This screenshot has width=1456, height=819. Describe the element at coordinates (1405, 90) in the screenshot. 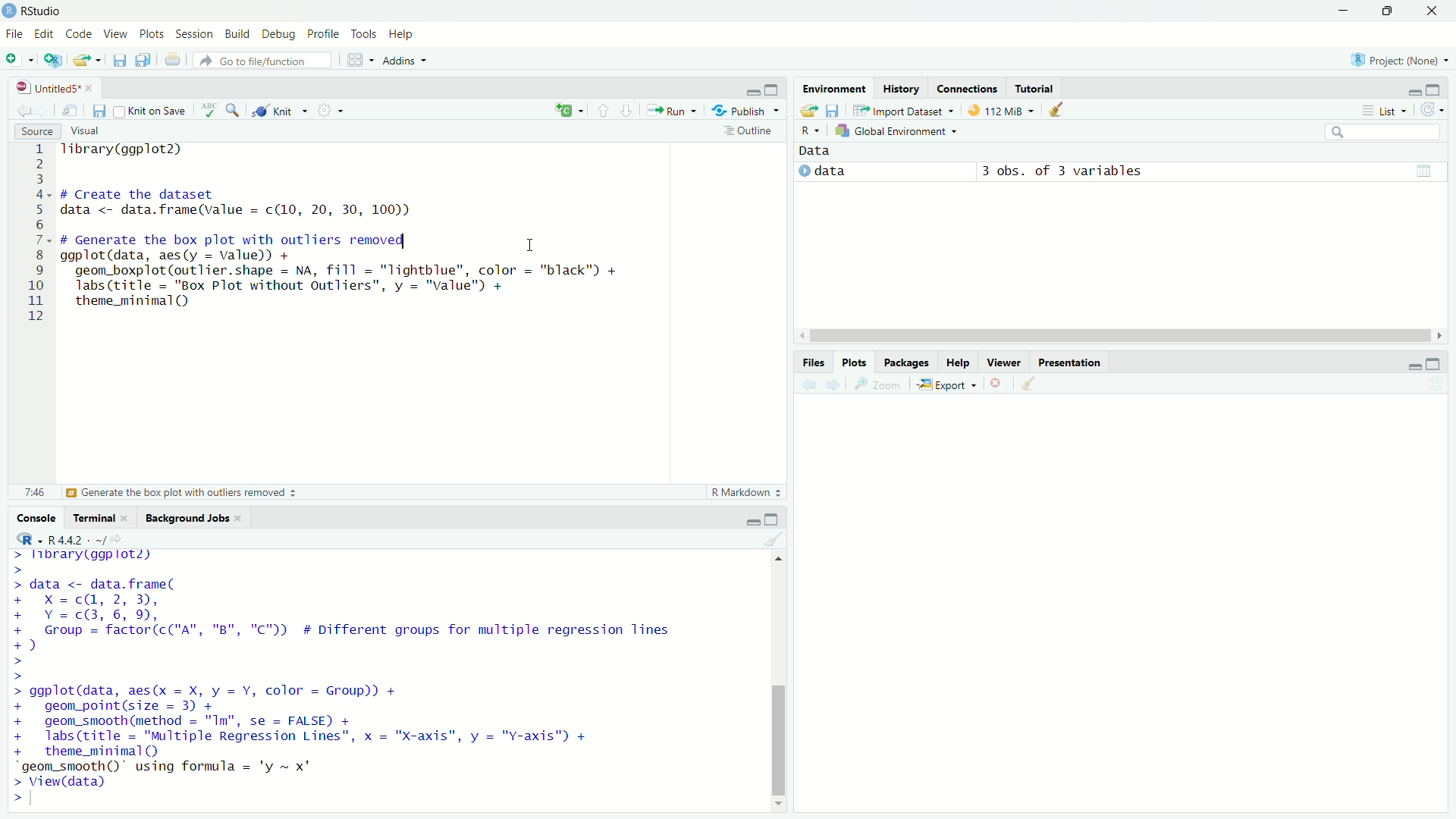

I see `minimise` at that location.